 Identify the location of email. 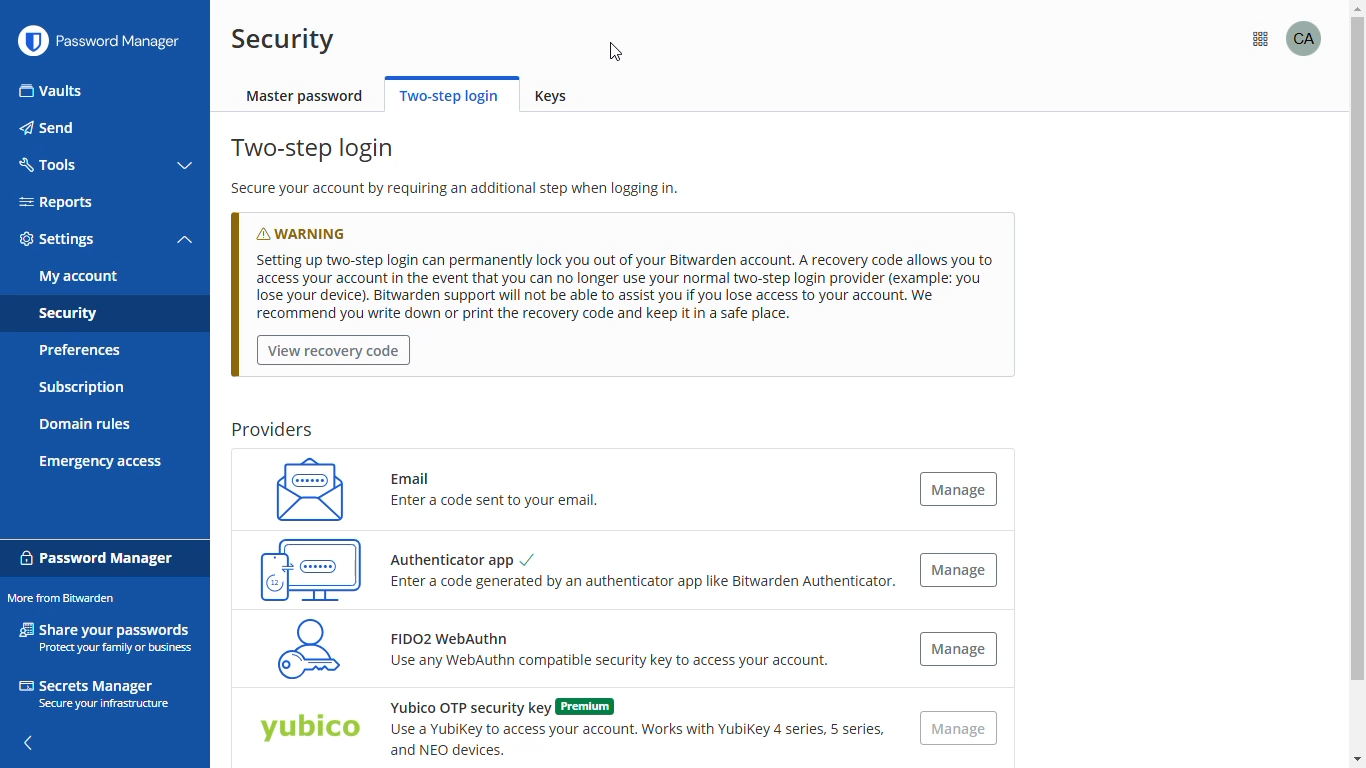
(303, 488).